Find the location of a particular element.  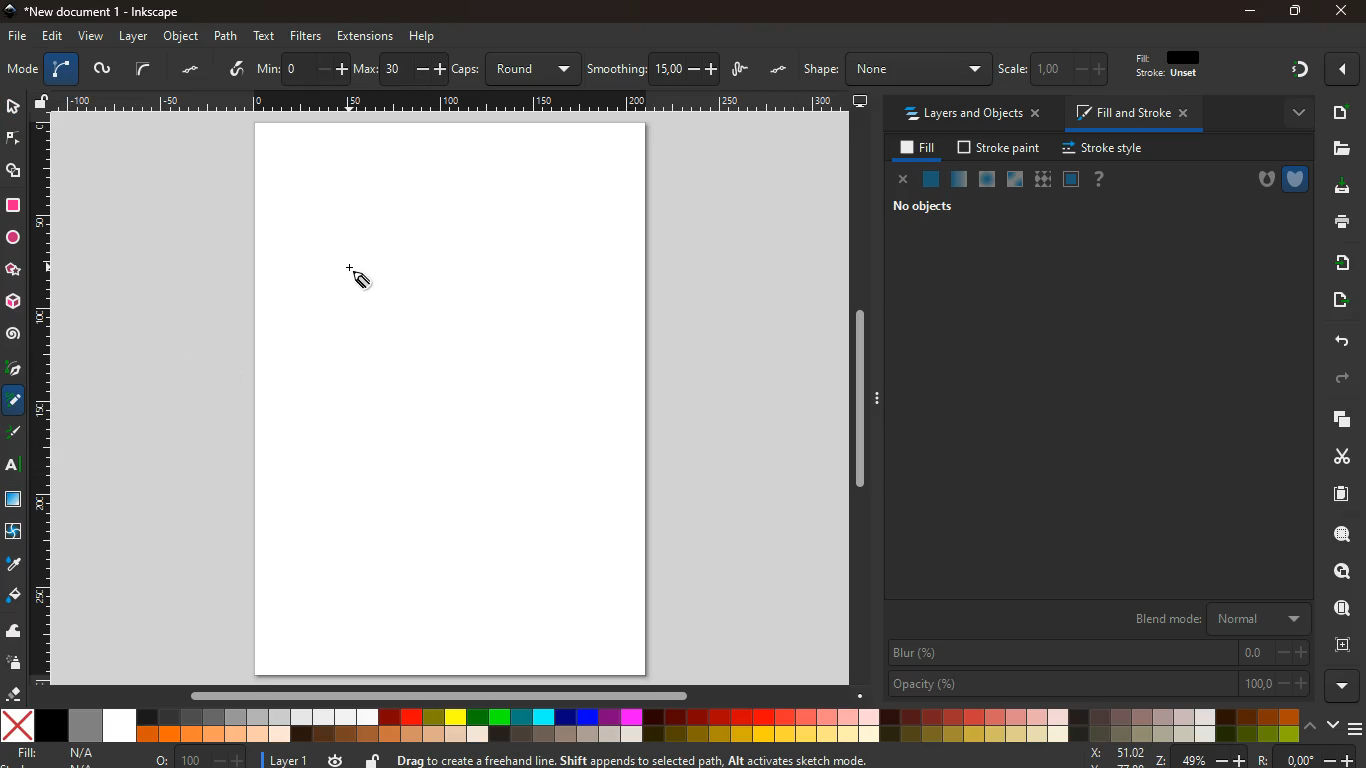

object is located at coordinates (182, 37).